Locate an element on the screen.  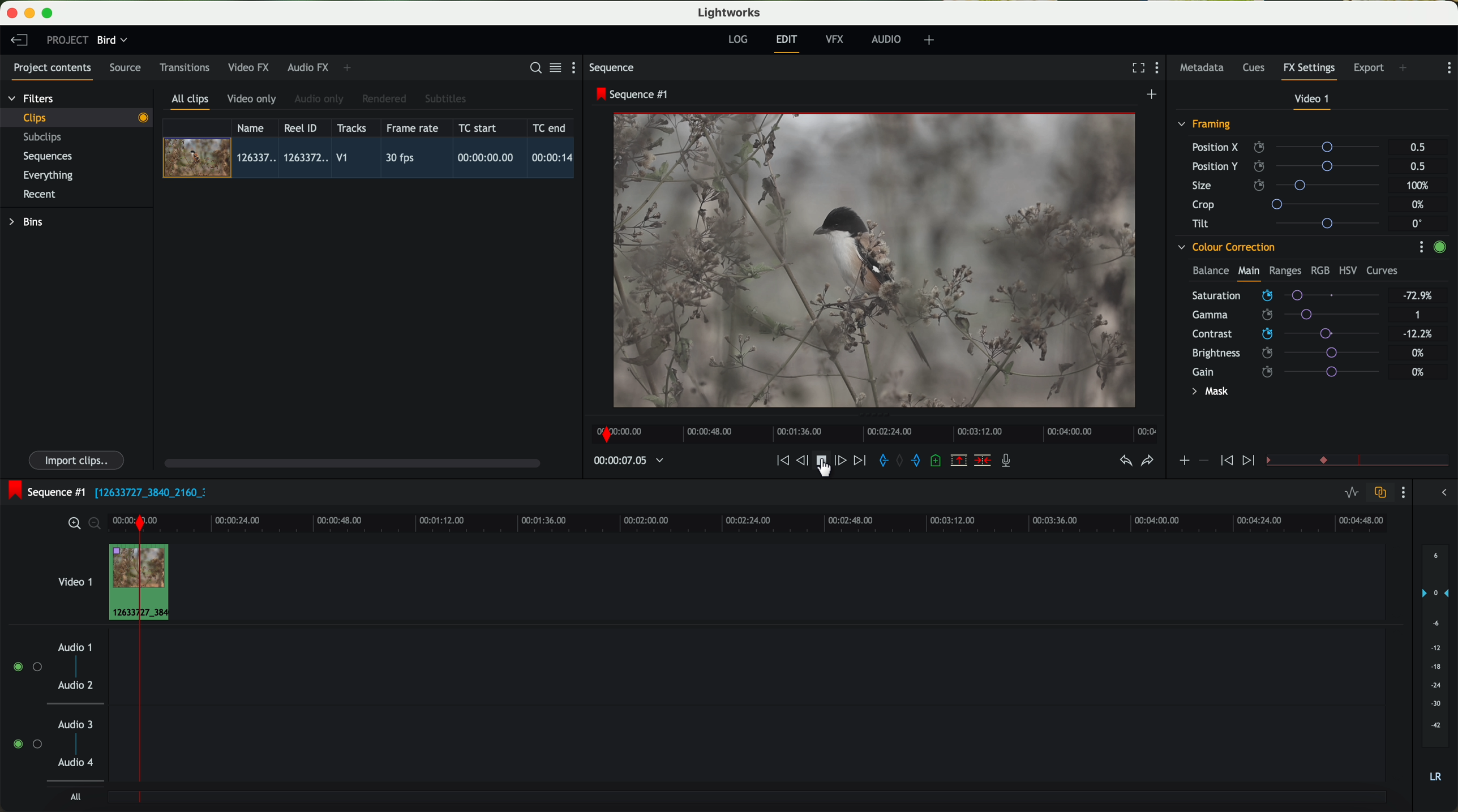
icon is located at coordinates (1250, 461).